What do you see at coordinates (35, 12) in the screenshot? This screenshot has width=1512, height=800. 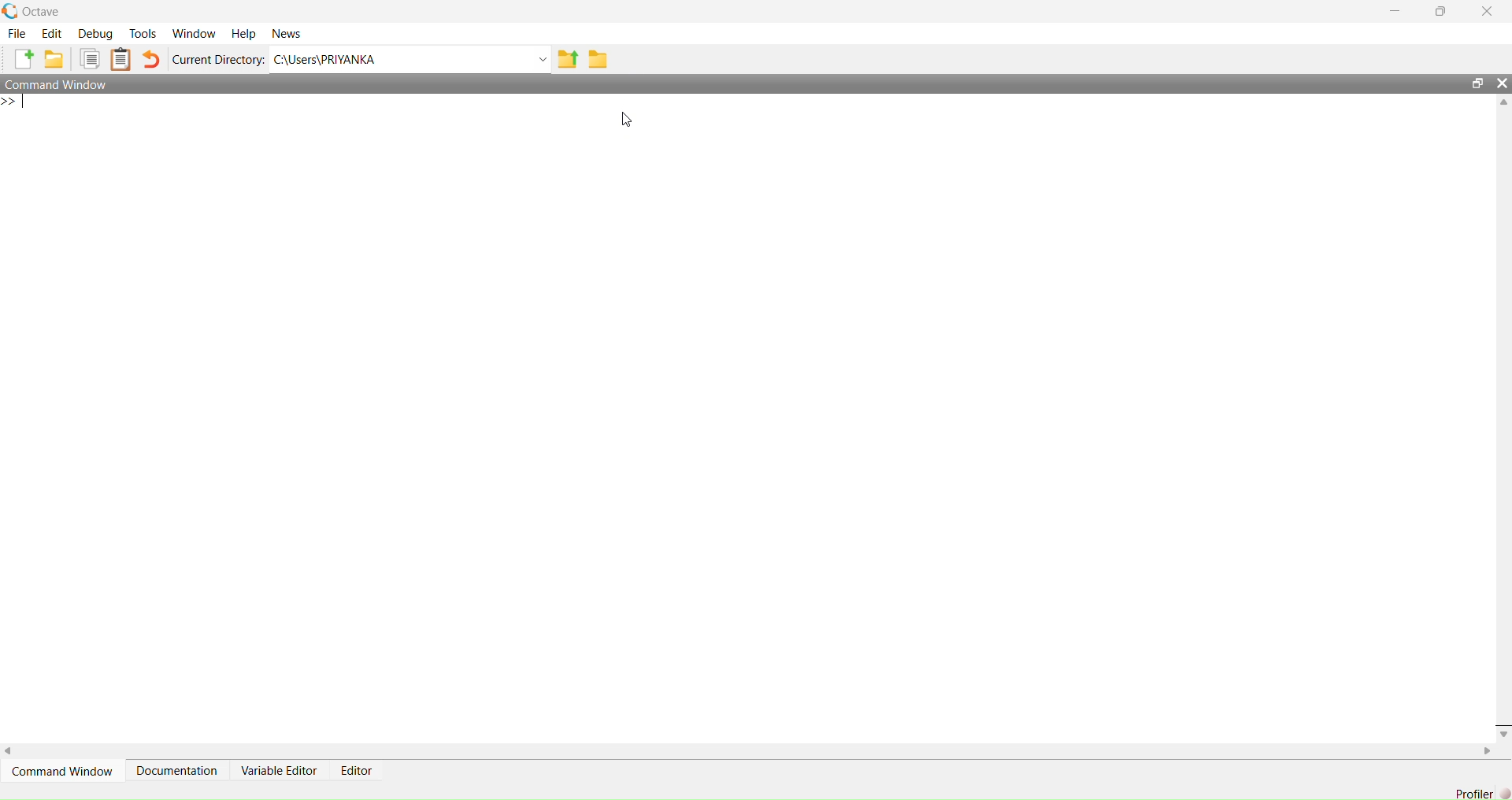 I see `Octave` at bounding box center [35, 12].